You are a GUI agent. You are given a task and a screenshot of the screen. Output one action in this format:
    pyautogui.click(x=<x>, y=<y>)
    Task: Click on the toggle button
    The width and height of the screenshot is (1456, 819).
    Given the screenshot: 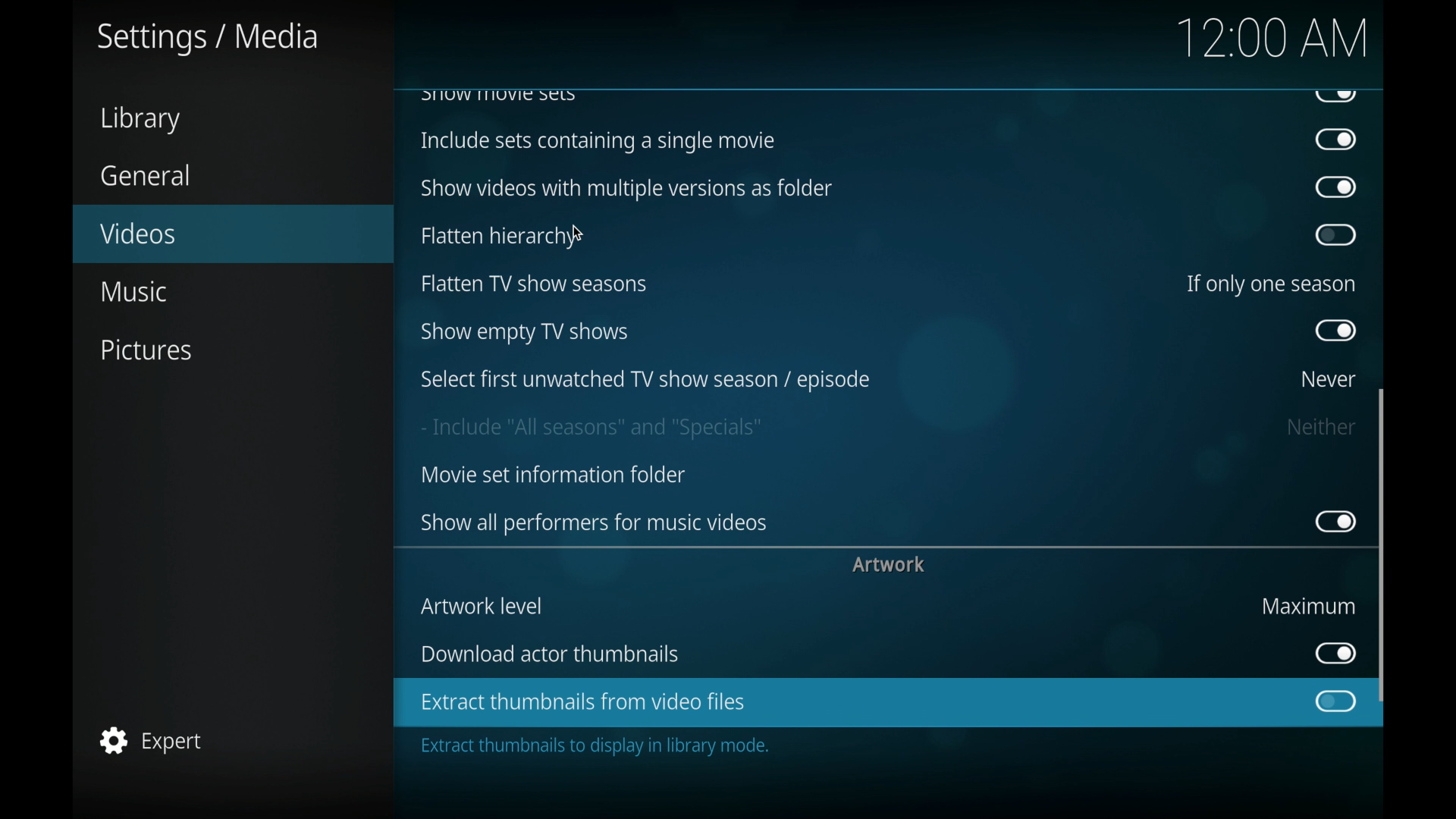 What is the action you would take?
    pyautogui.click(x=1336, y=140)
    